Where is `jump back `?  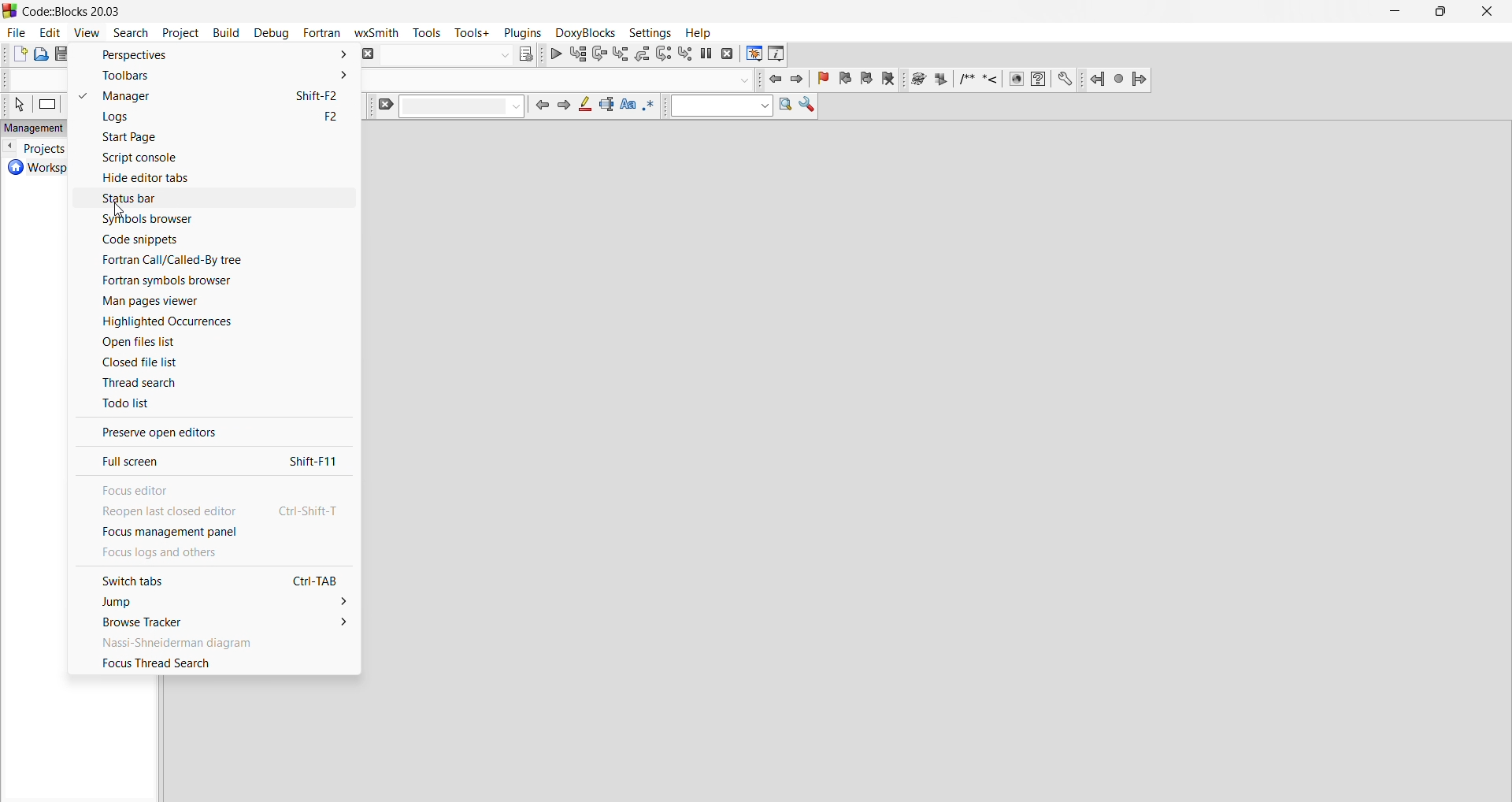 jump back  is located at coordinates (773, 79).